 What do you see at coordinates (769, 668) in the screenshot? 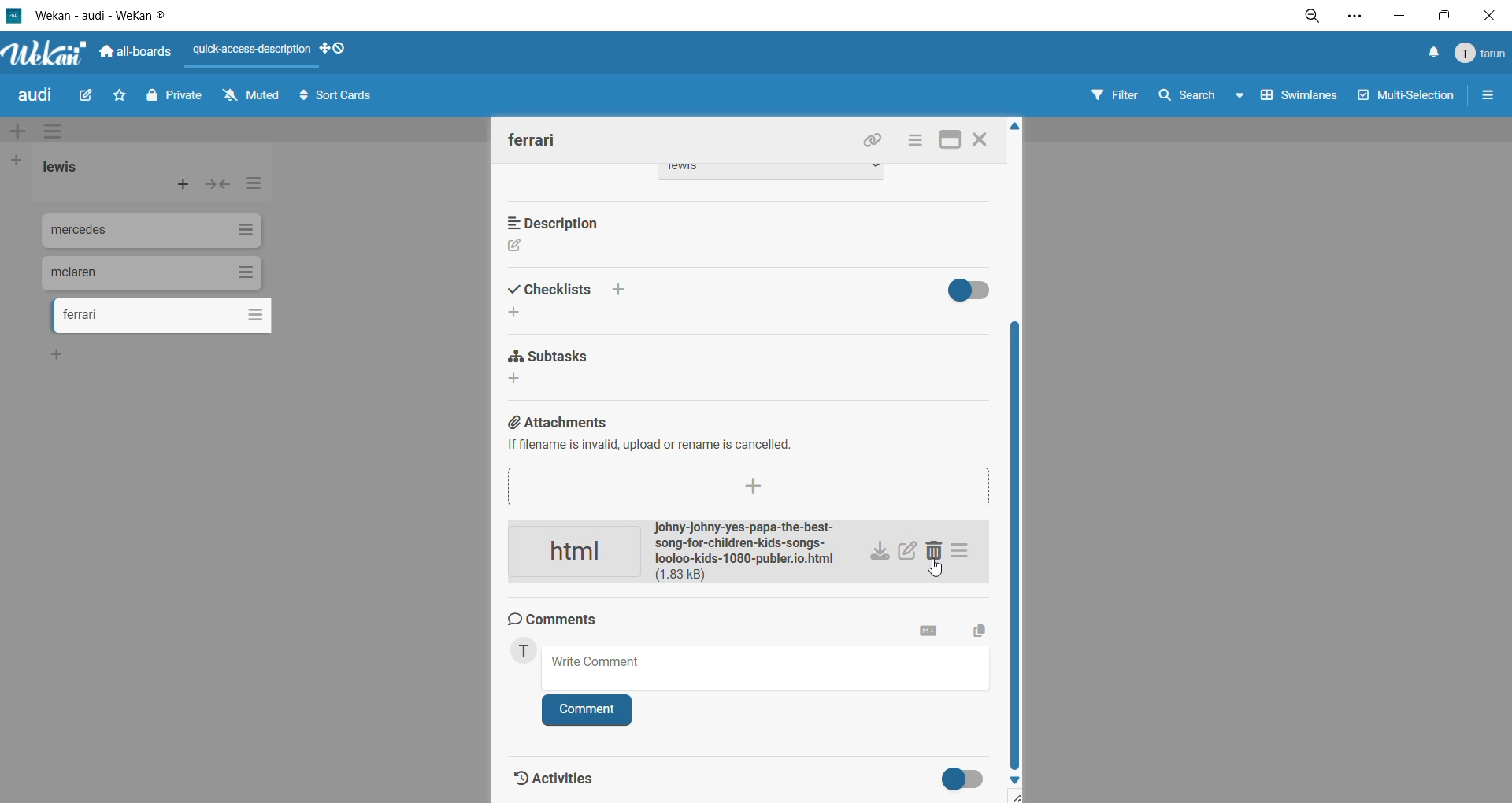
I see `comment box` at bounding box center [769, 668].